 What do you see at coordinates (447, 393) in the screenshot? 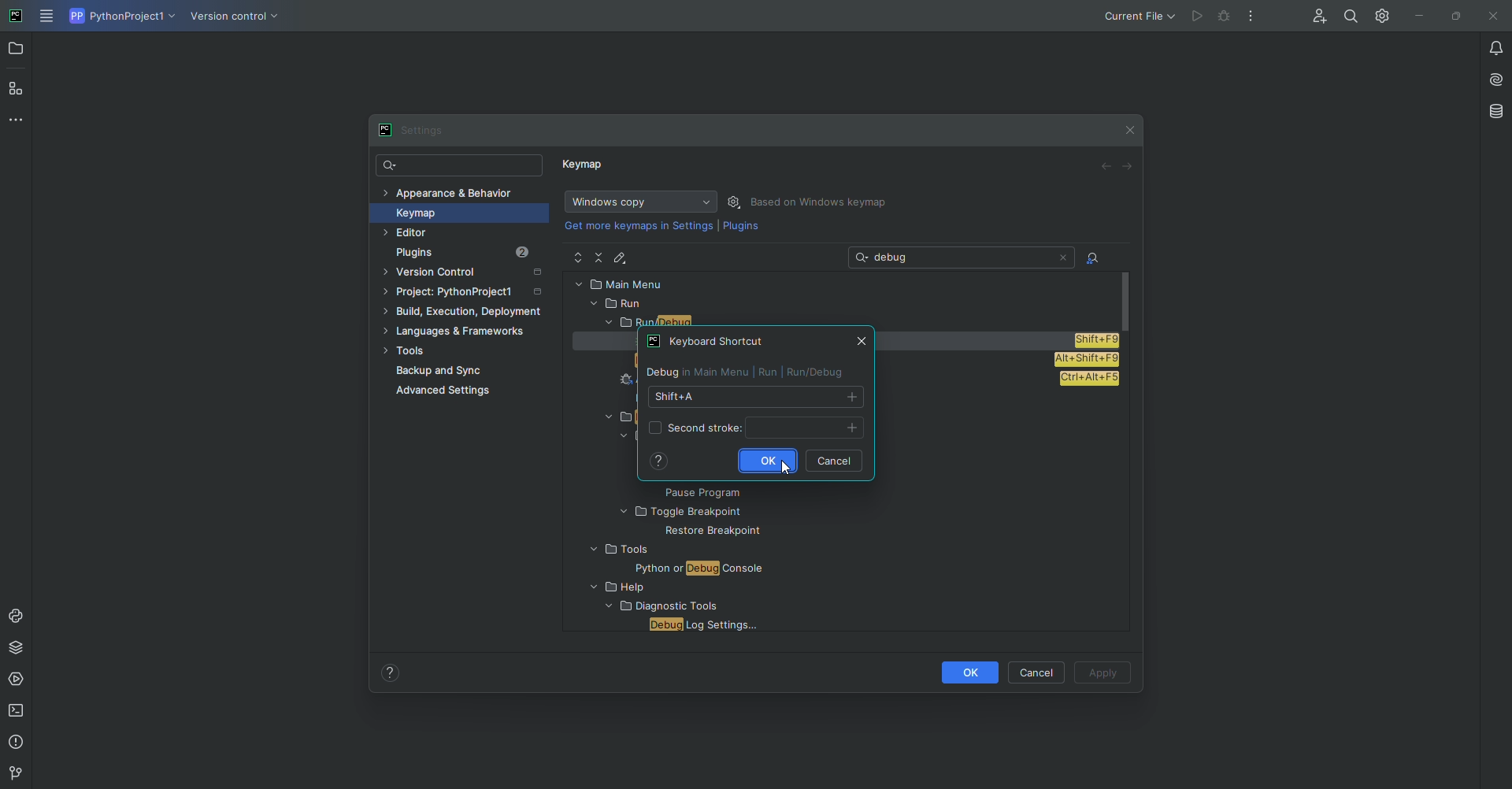
I see `Advanced Settings` at bounding box center [447, 393].